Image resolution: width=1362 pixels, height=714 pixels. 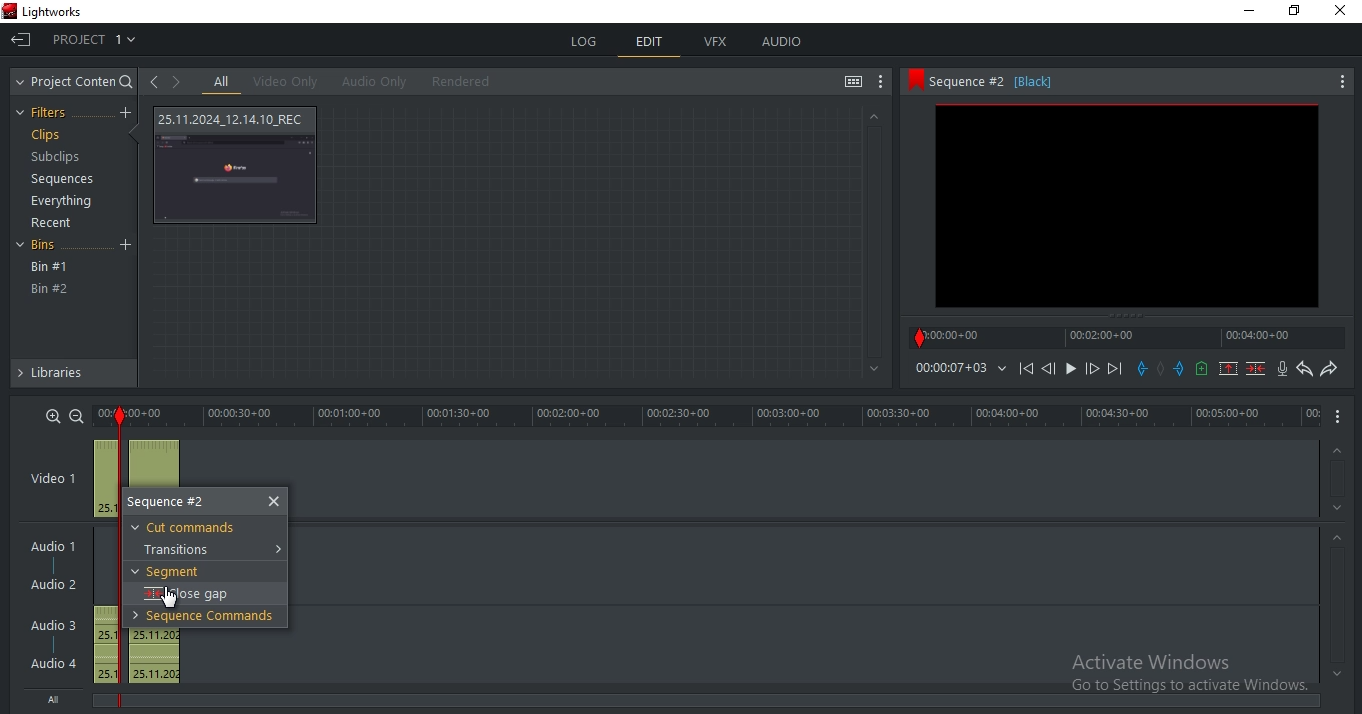 I want to click on timeline, so click(x=1130, y=337).